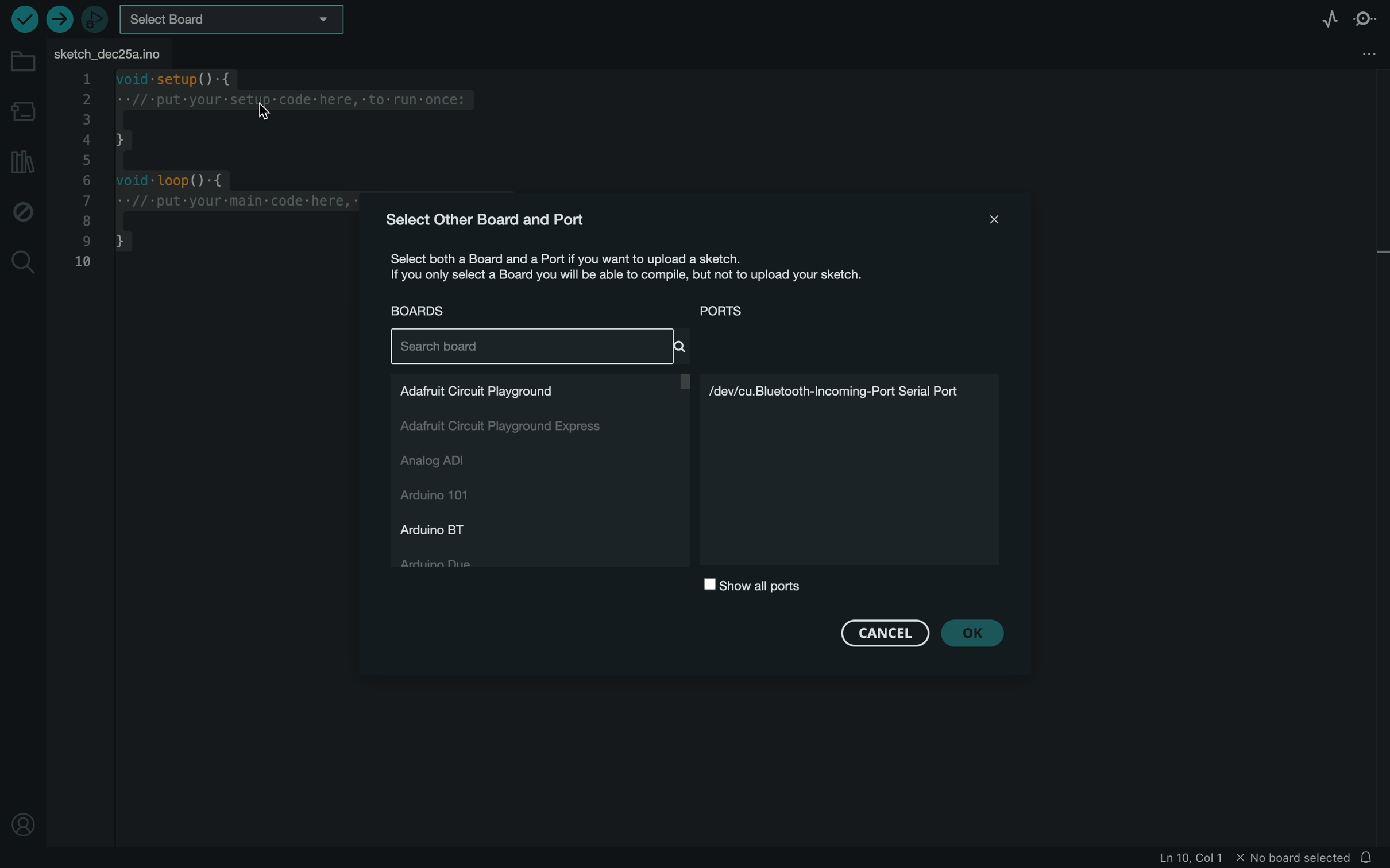 This screenshot has width=1390, height=868. Describe the element at coordinates (1362, 18) in the screenshot. I see `serial monitor` at that location.